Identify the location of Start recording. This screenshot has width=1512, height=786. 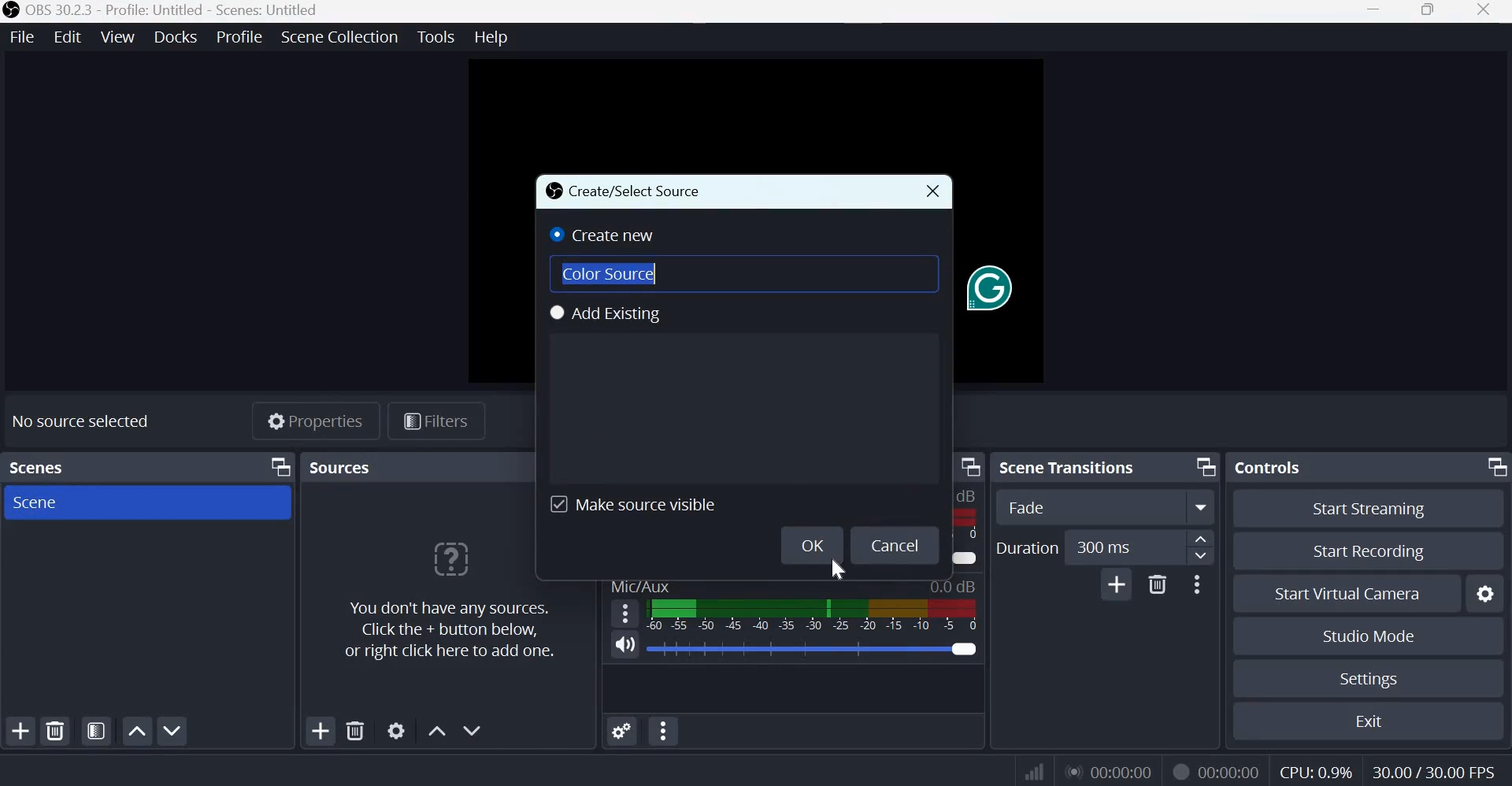
(1377, 552).